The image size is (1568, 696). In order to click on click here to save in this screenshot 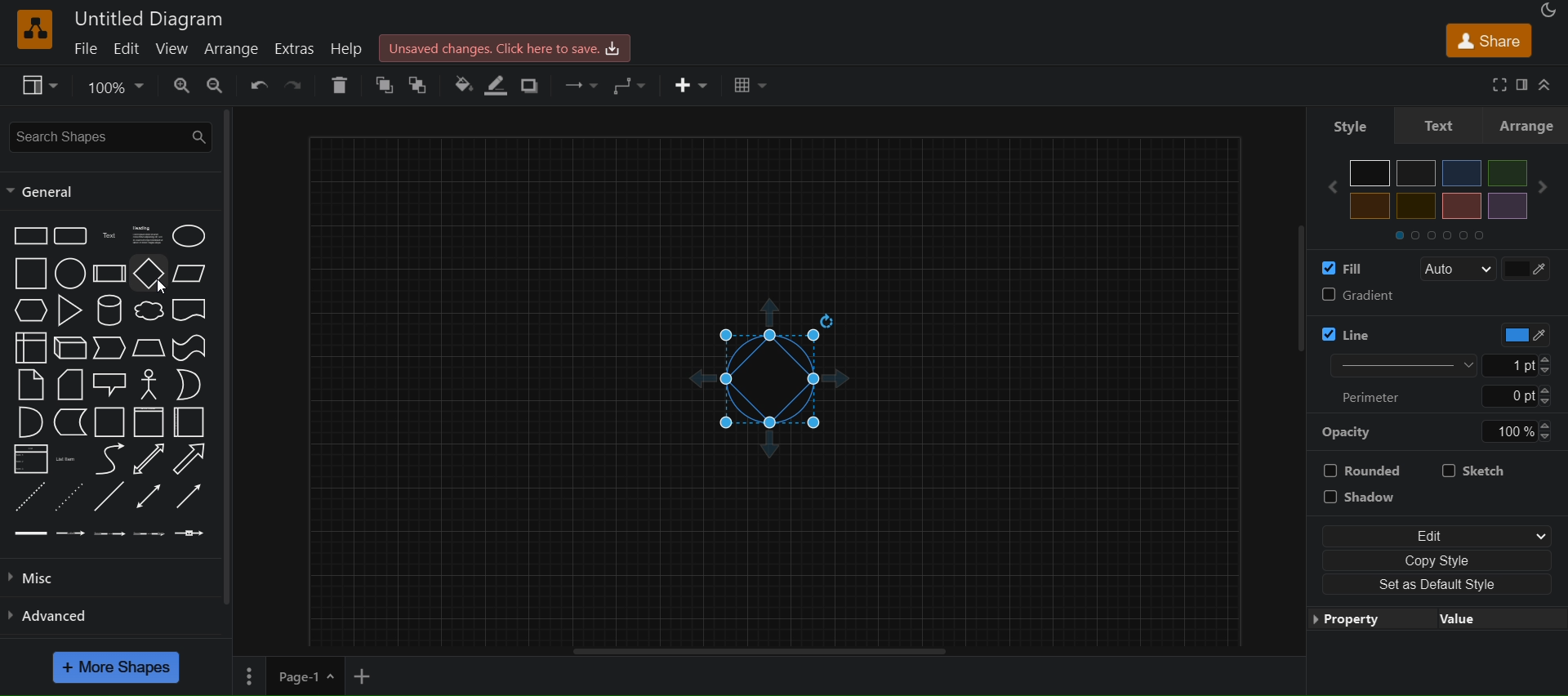, I will do `click(506, 47)`.